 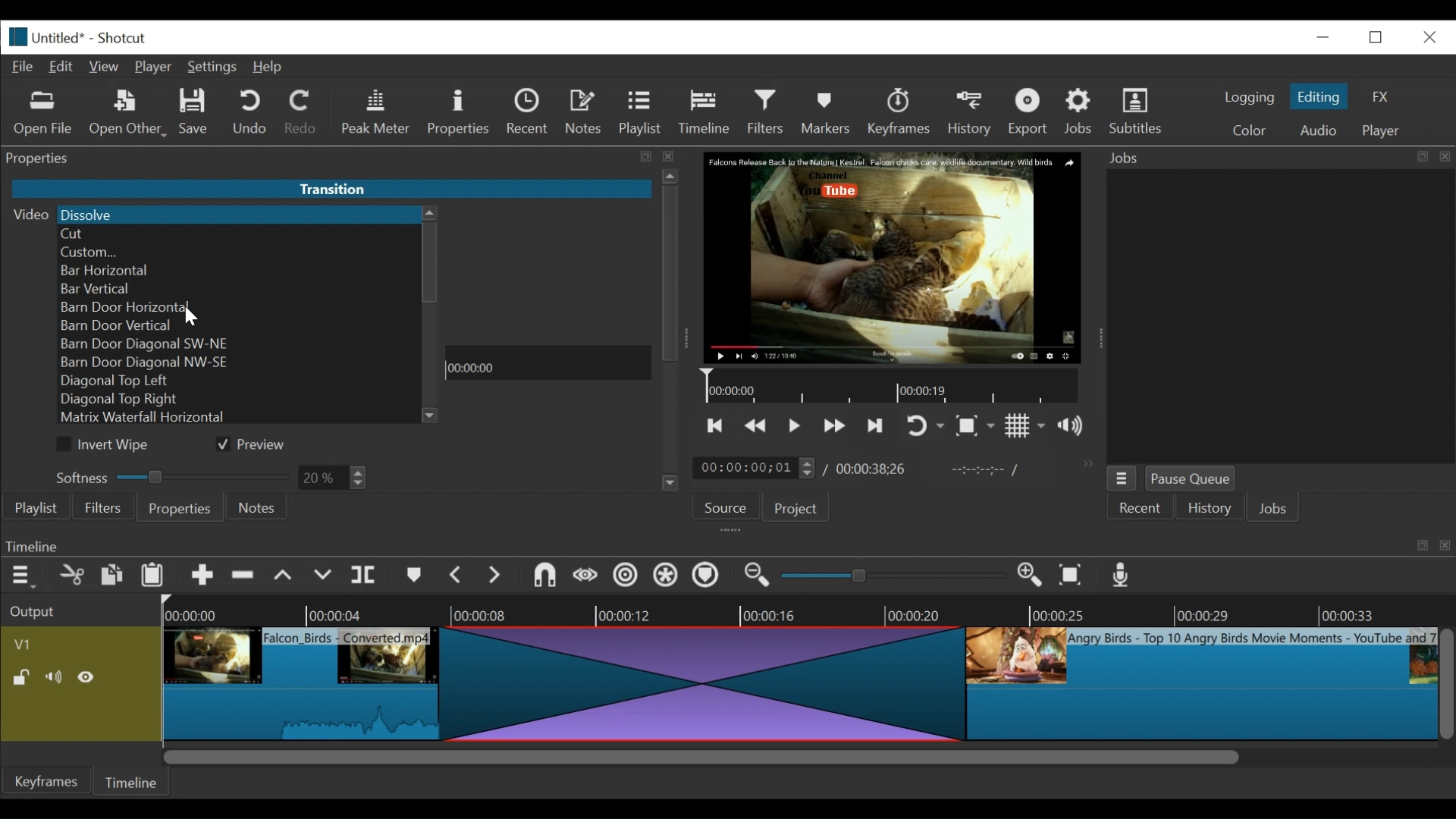 I want to click on Open Other, so click(x=129, y=114).